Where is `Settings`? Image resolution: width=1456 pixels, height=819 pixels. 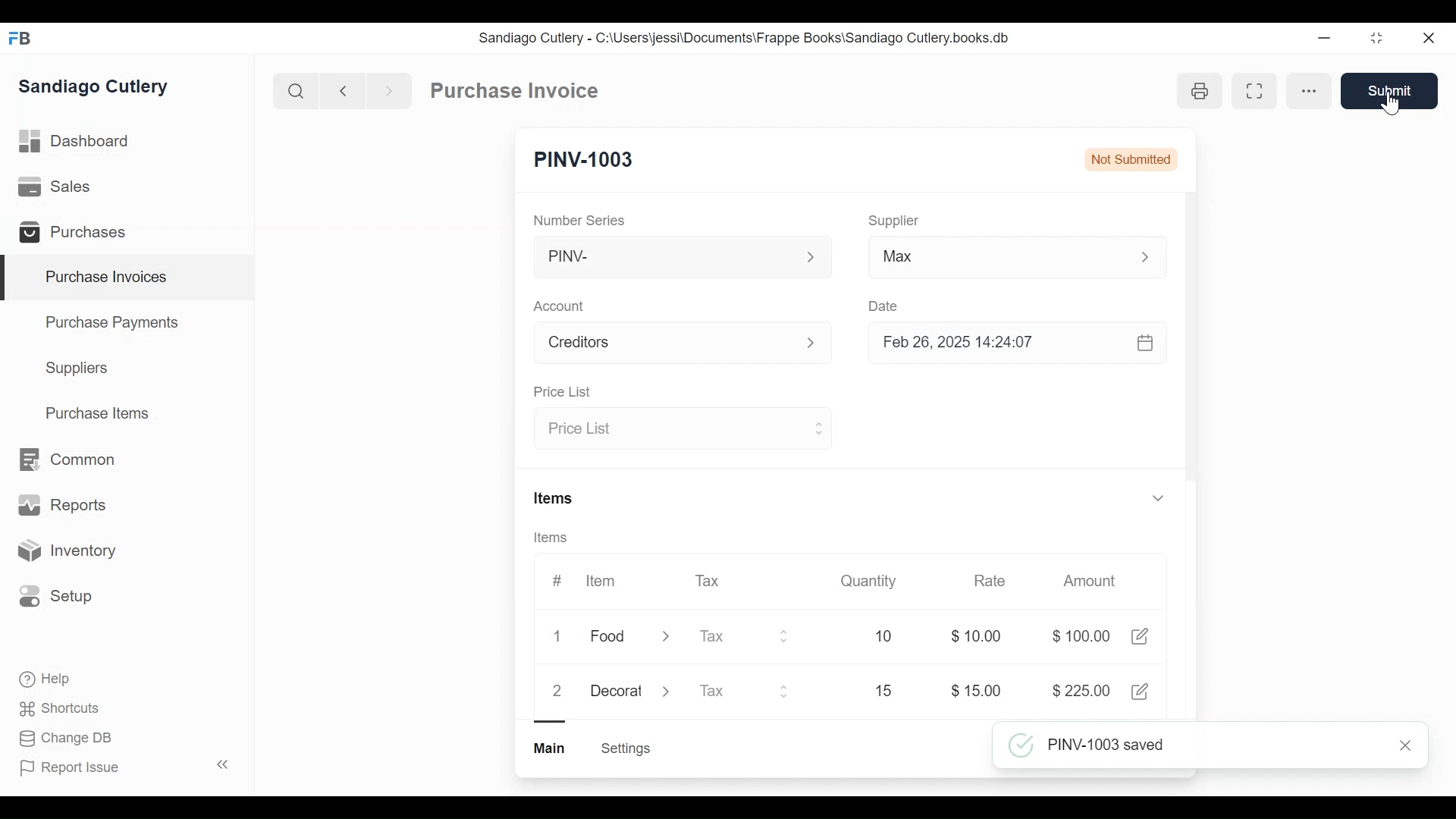
Settings is located at coordinates (625, 748).